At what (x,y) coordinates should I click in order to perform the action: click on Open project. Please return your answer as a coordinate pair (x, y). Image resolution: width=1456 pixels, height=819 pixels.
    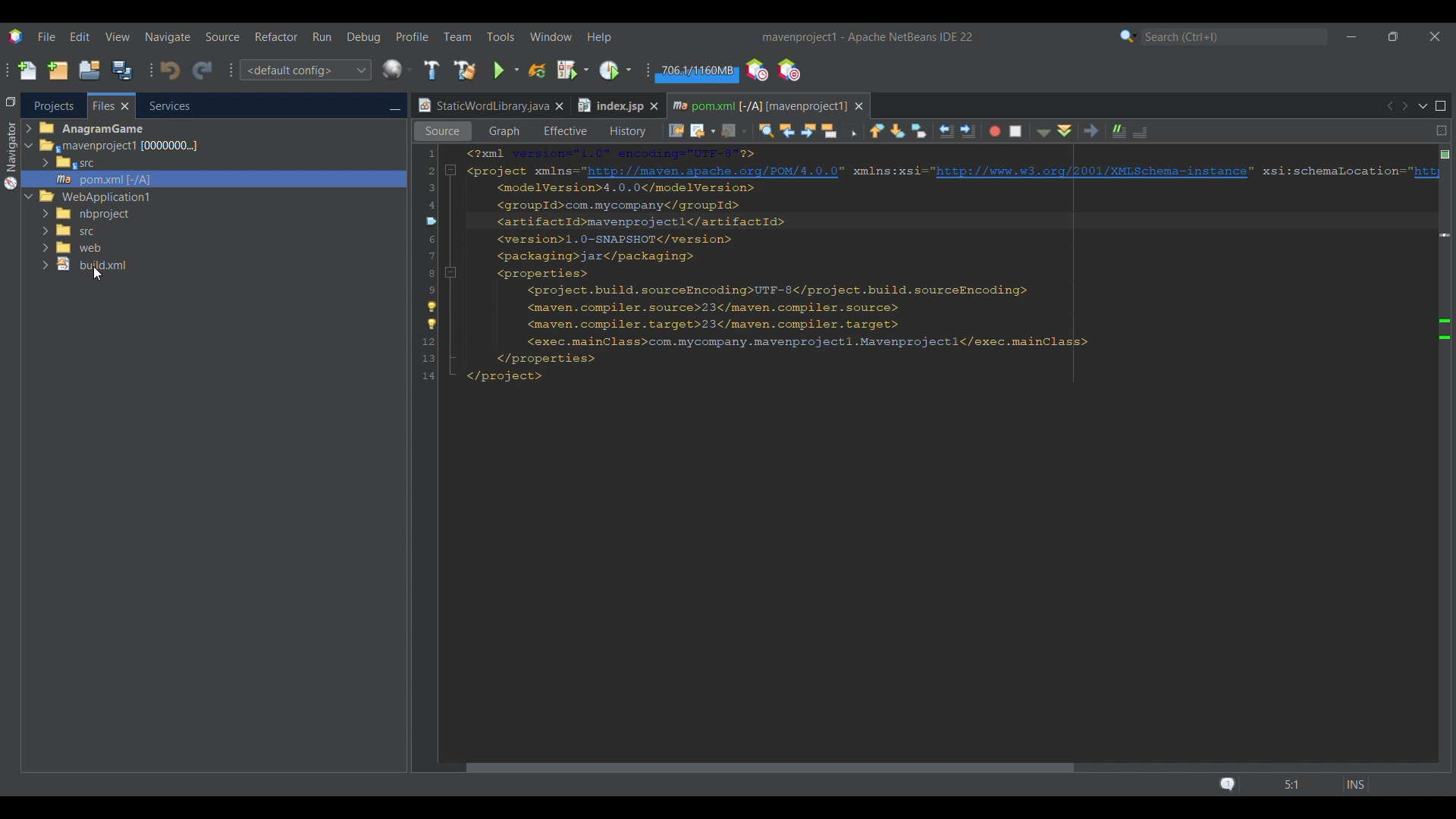
    Looking at the image, I should click on (89, 70).